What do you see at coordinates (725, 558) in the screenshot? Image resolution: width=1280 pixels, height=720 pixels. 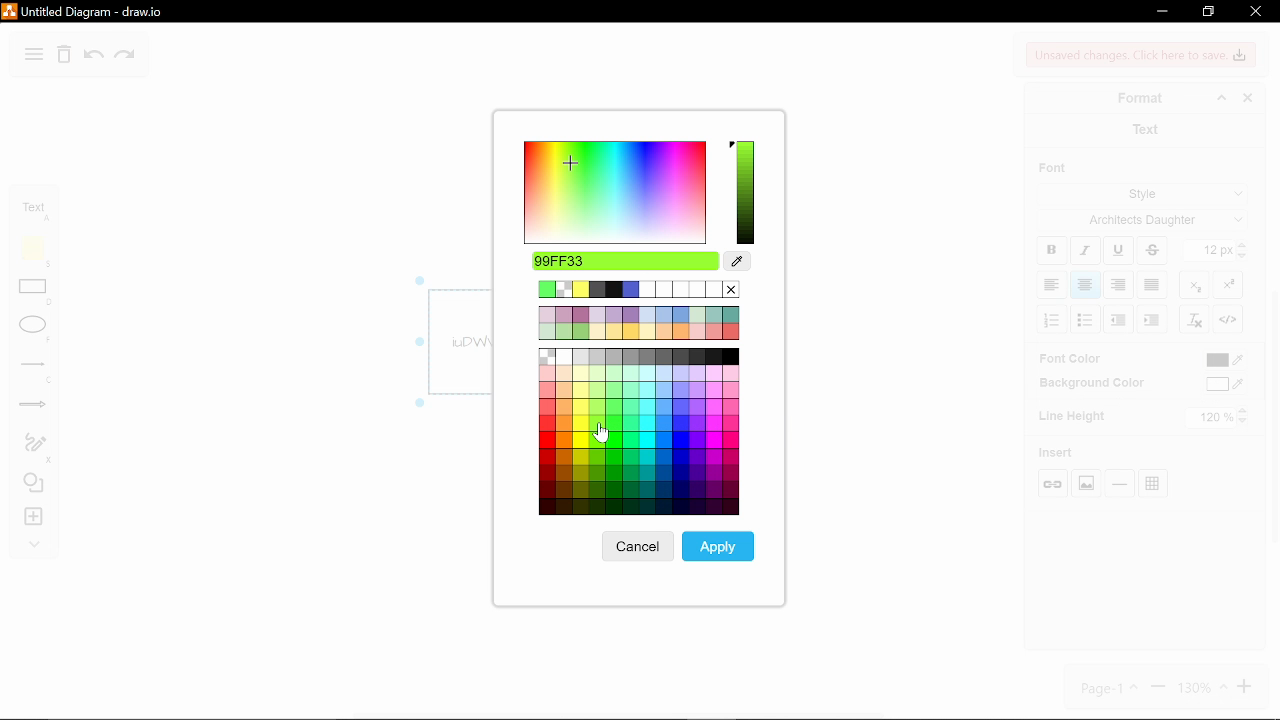 I see `Cursor` at bounding box center [725, 558].